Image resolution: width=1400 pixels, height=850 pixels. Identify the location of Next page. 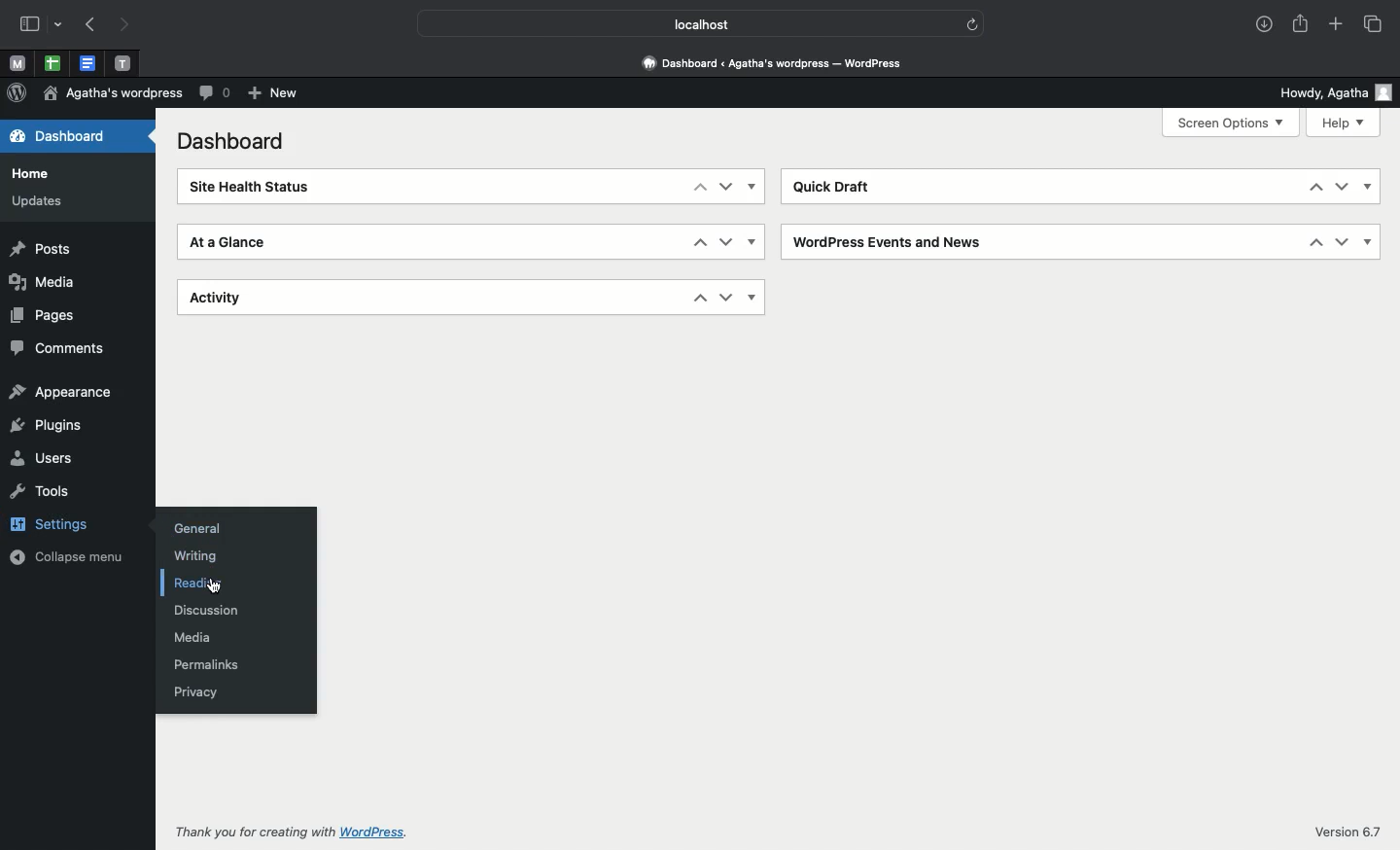
(127, 26).